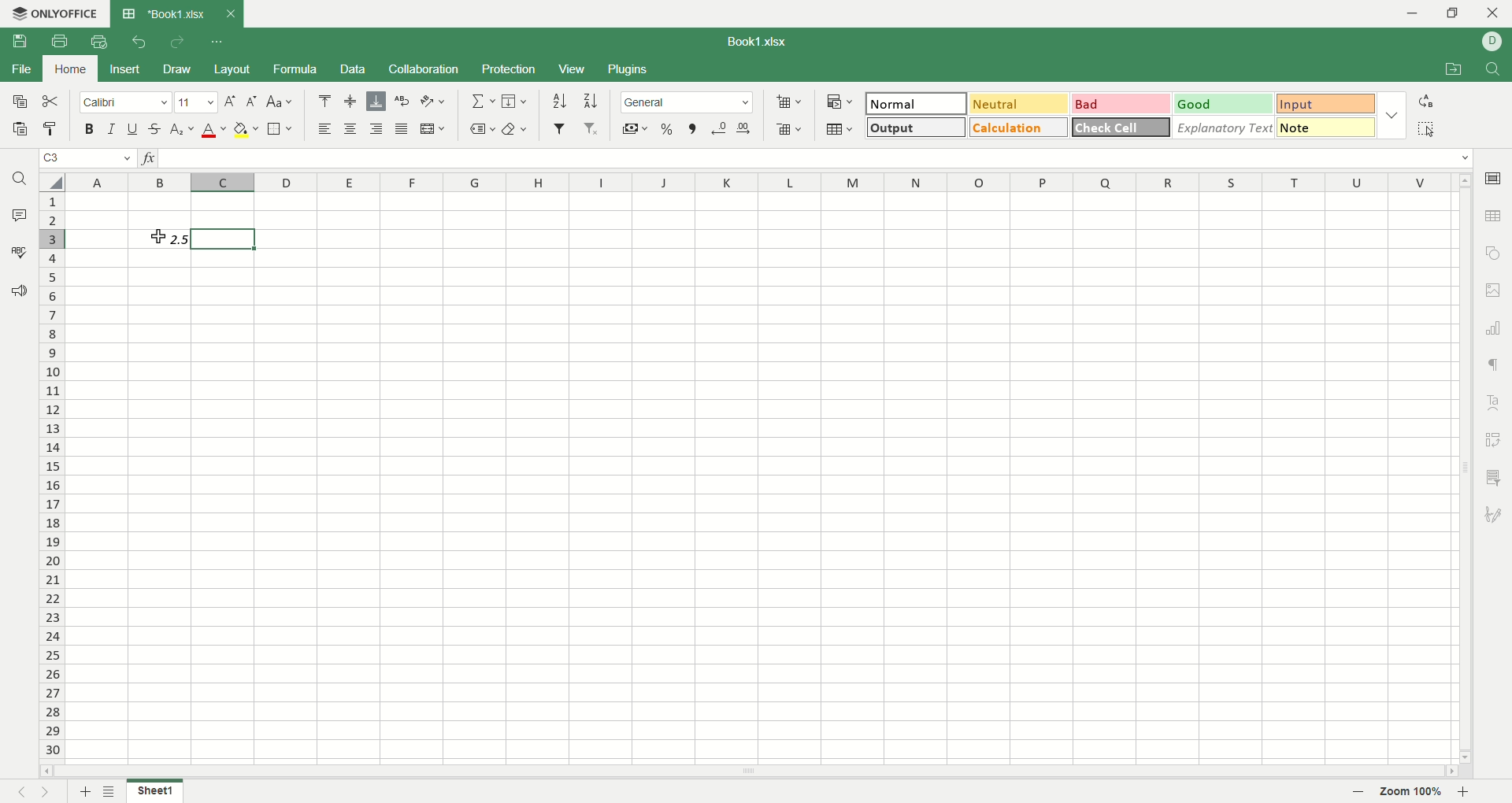  What do you see at coordinates (86, 790) in the screenshot?
I see `New sheet` at bounding box center [86, 790].